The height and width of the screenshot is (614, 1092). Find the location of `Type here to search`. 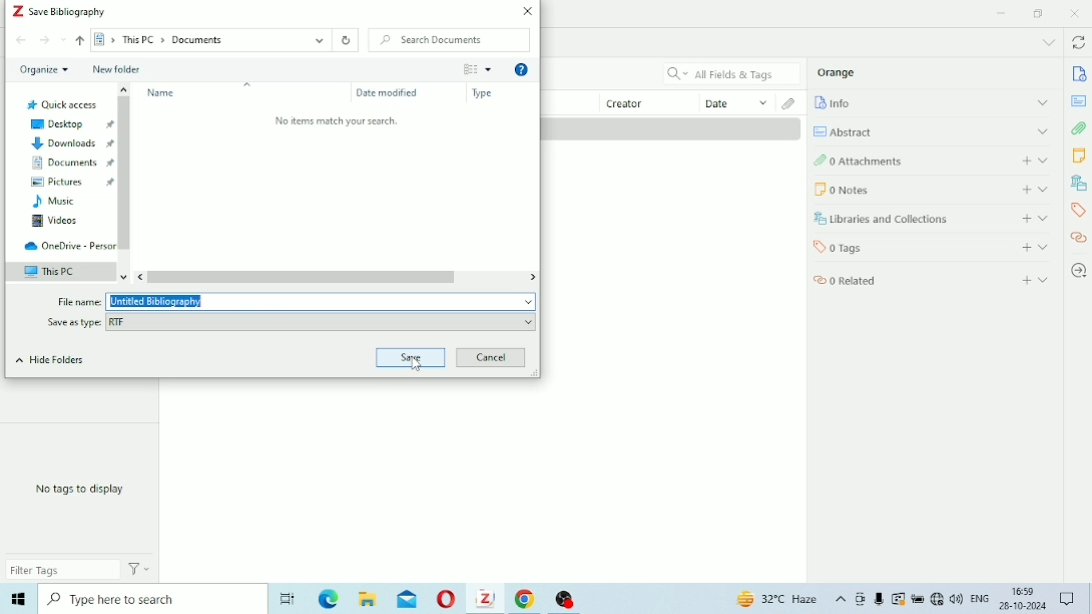

Type here to search is located at coordinates (149, 598).